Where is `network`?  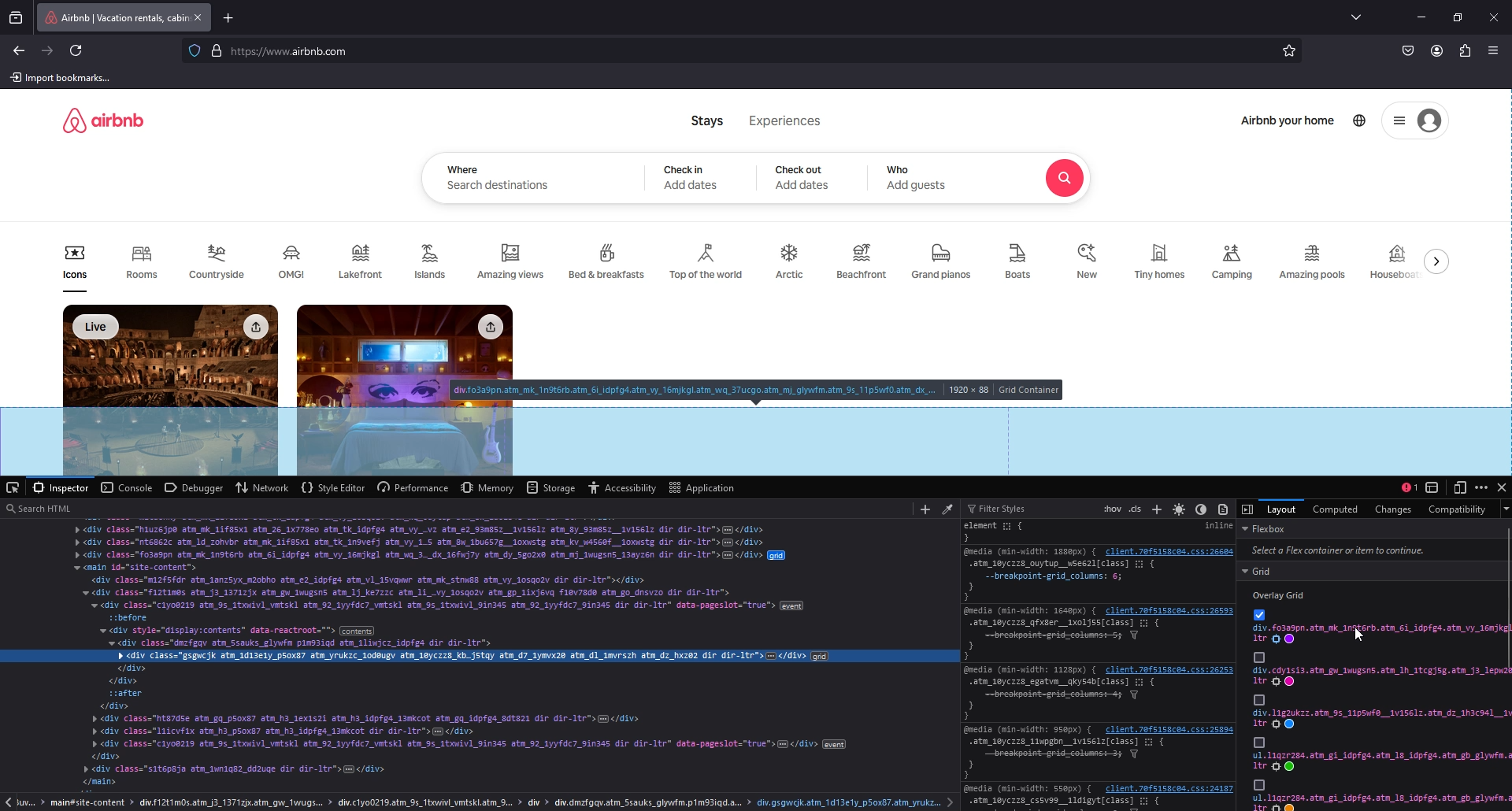
network is located at coordinates (261, 488).